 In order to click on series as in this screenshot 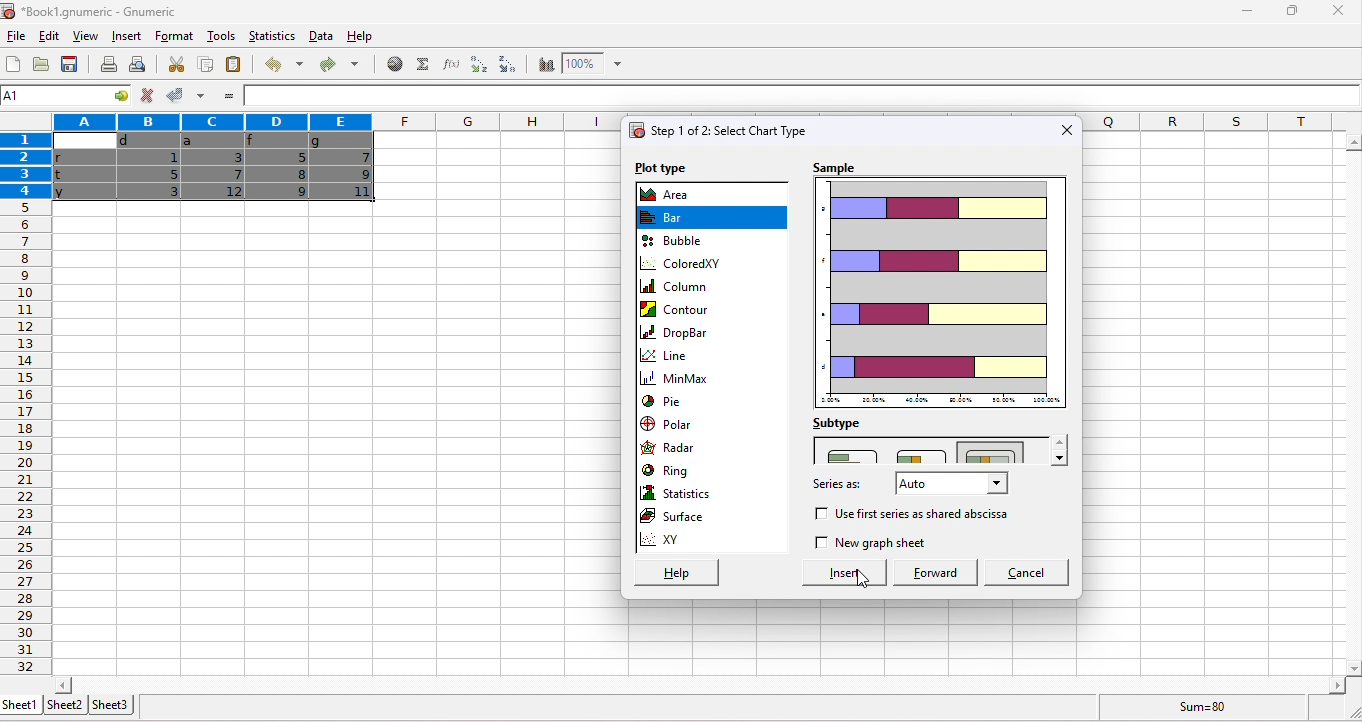, I will do `click(839, 486)`.